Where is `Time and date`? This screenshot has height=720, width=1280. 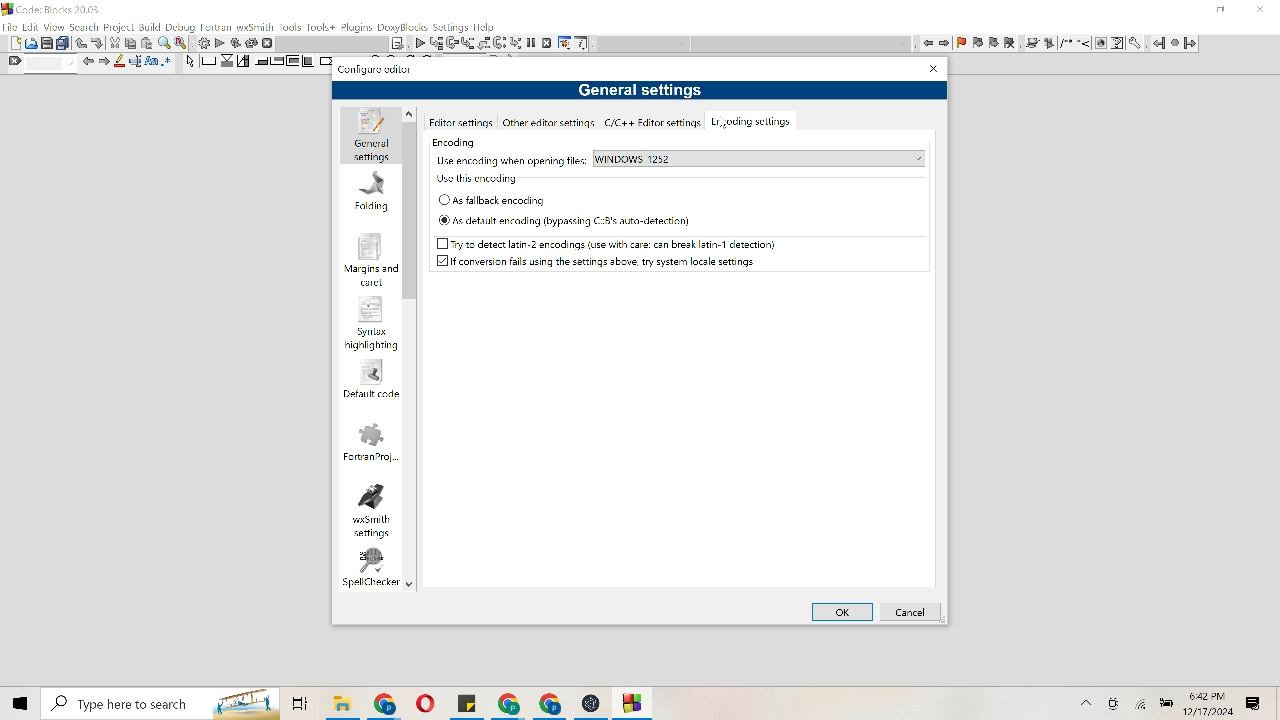
Time and date is located at coordinates (1212, 704).